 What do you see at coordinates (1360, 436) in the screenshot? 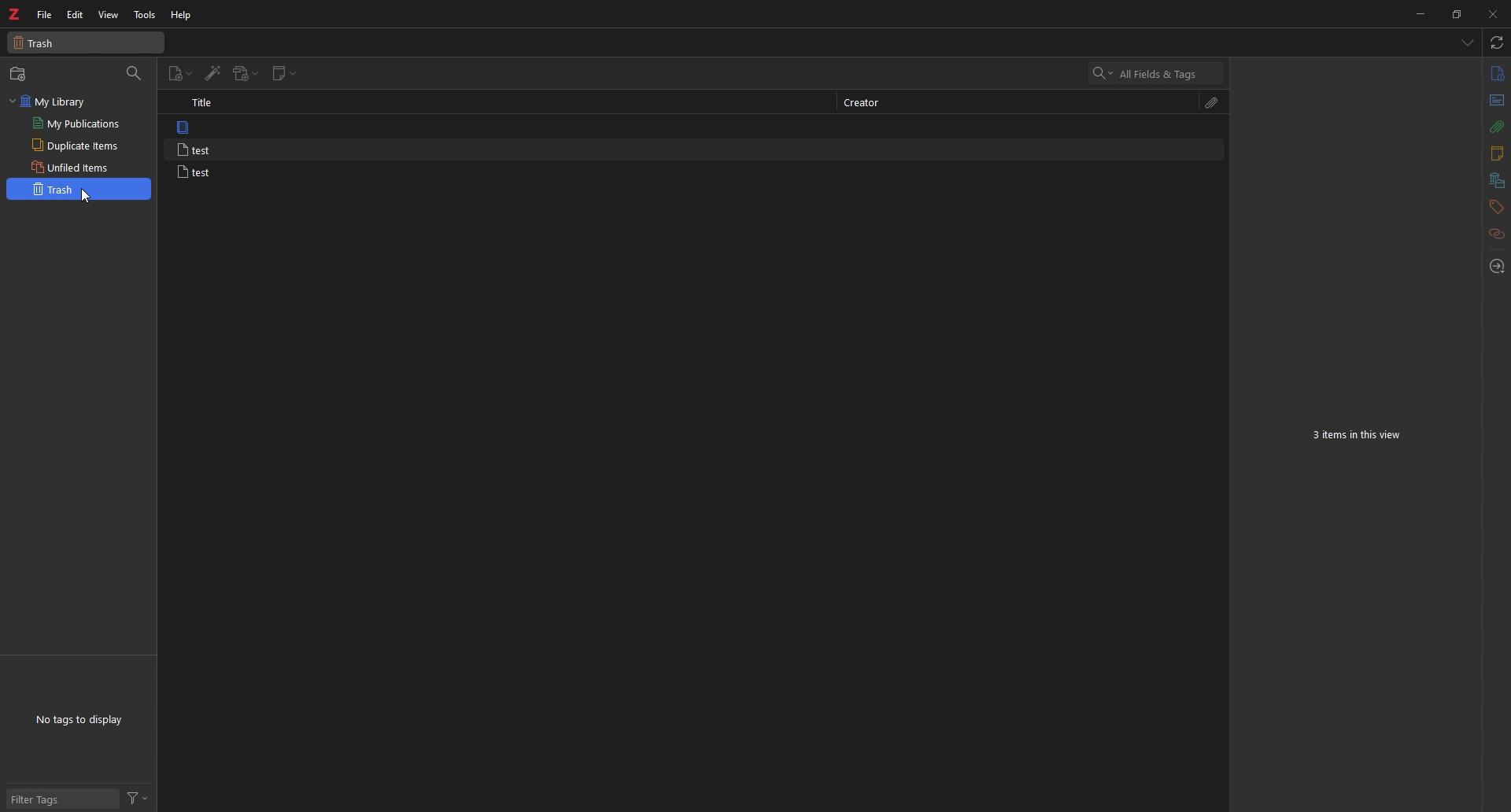
I see `items in view` at bounding box center [1360, 436].